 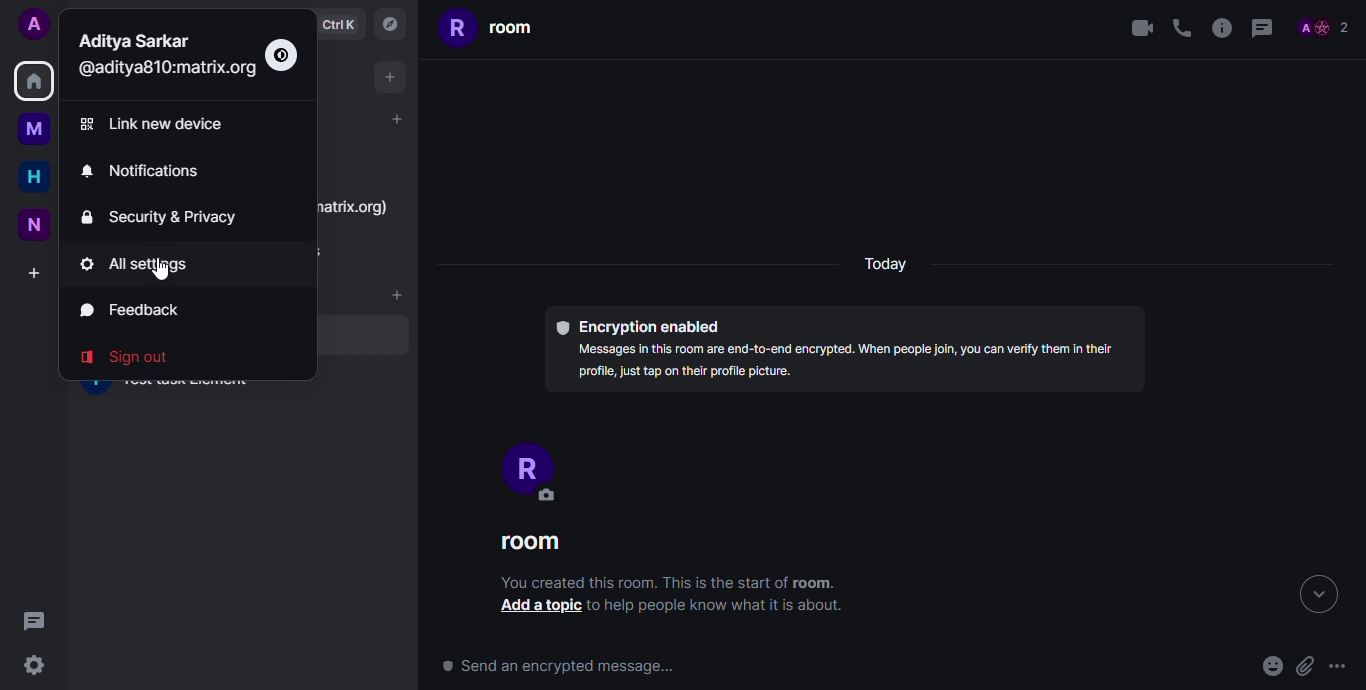 What do you see at coordinates (145, 170) in the screenshot?
I see `notifications` at bounding box center [145, 170].